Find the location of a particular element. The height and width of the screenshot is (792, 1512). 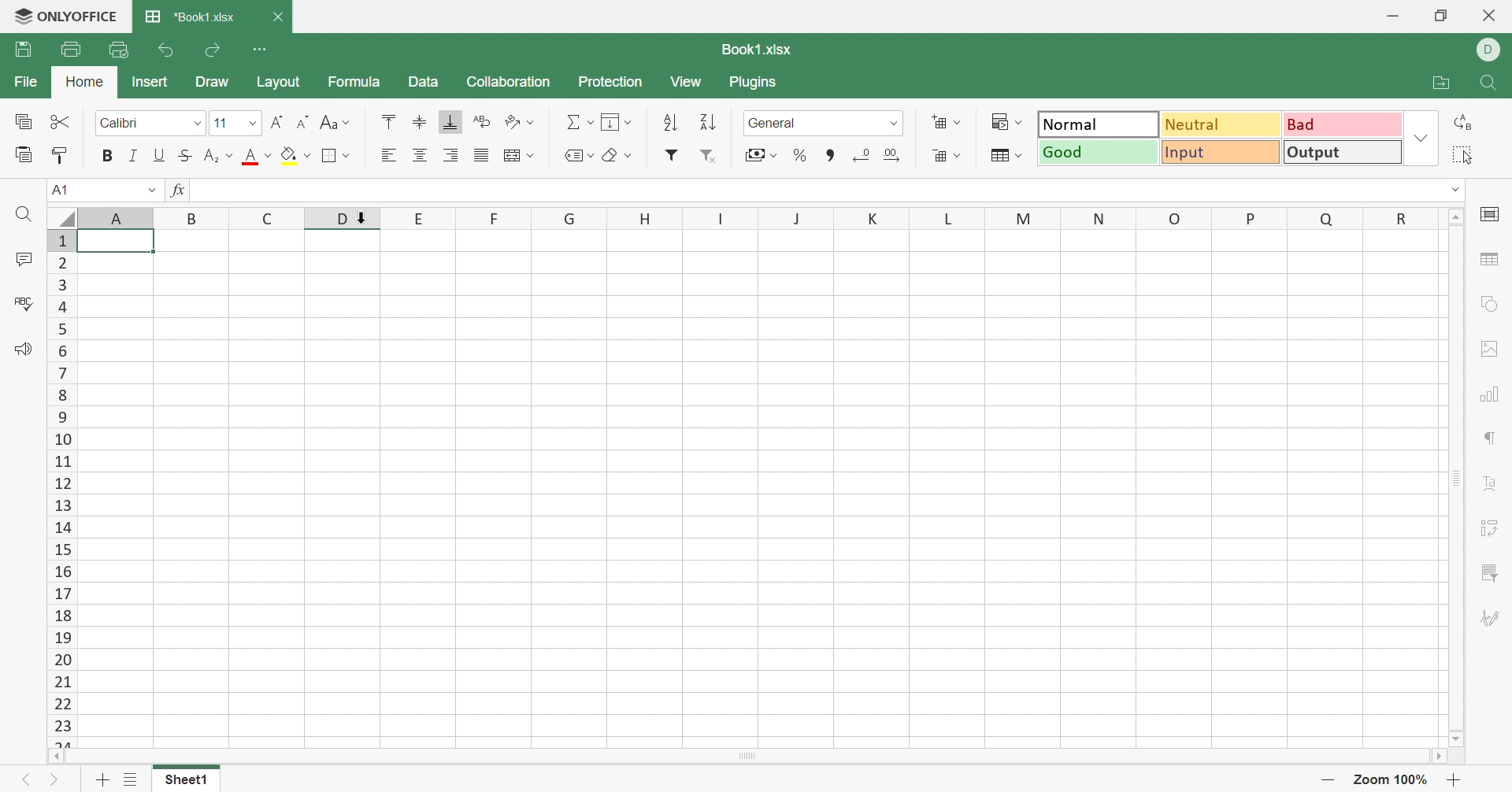

File is located at coordinates (24, 80).